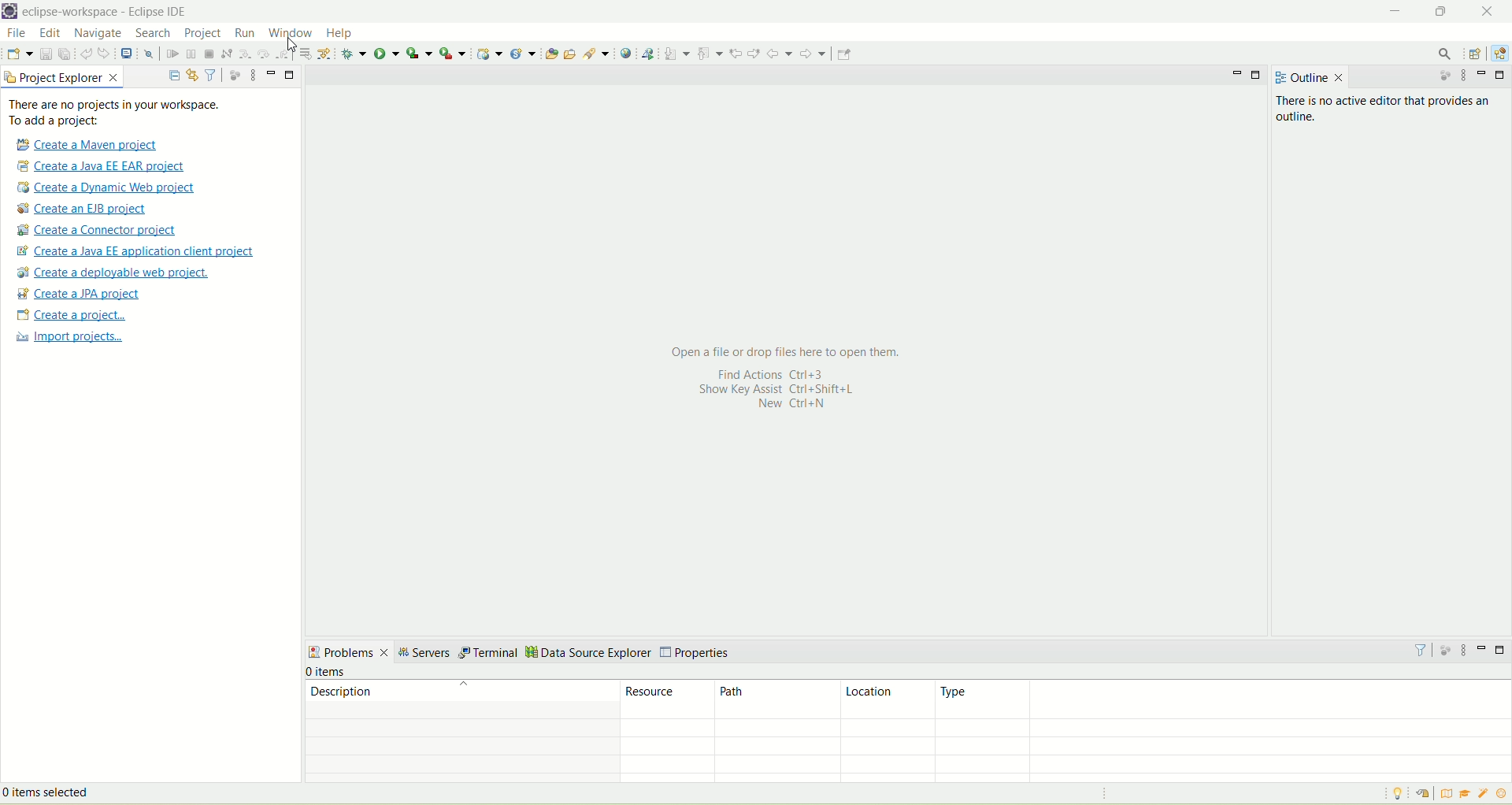 This screenshot has width=1512, height=805. Describe the element at coordinates (779, 54) in the screenshot. I see `back` at that location.